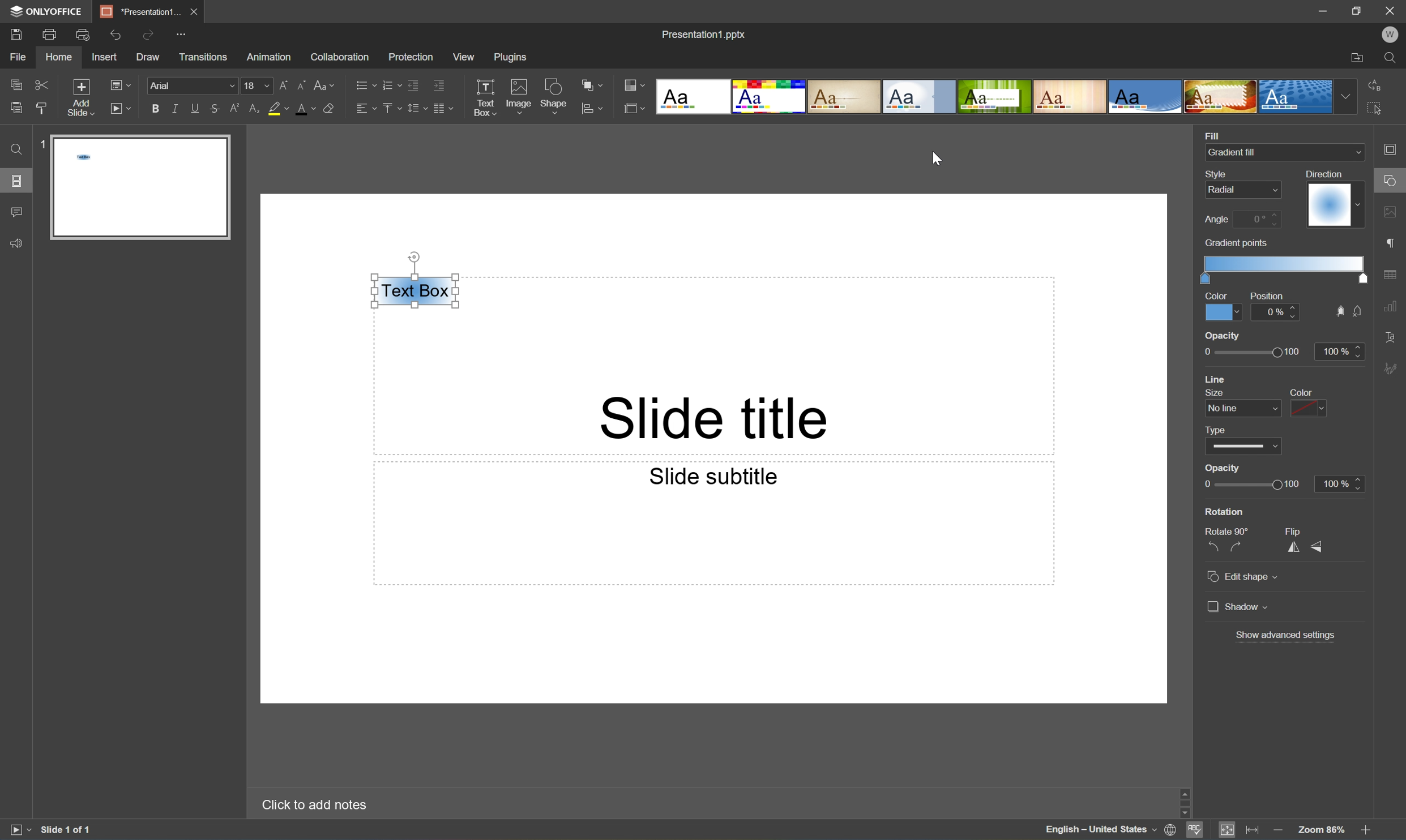  I want to click on Slide 1 of 1, so click(66, 828).